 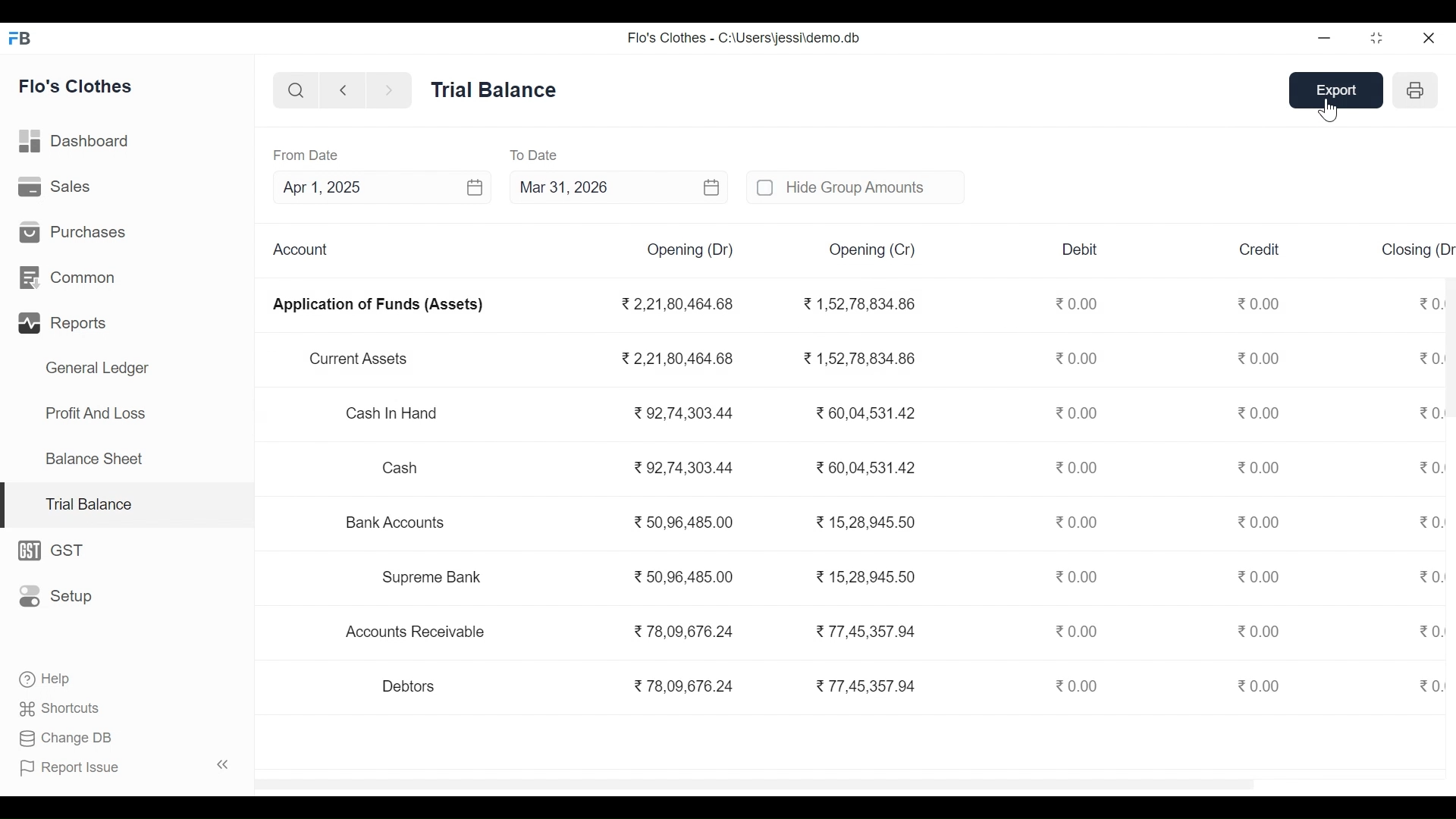 What do you see at coordinates (66, 322) in the screenshot?
I see `Reparts` at bounding box center [66, 322].